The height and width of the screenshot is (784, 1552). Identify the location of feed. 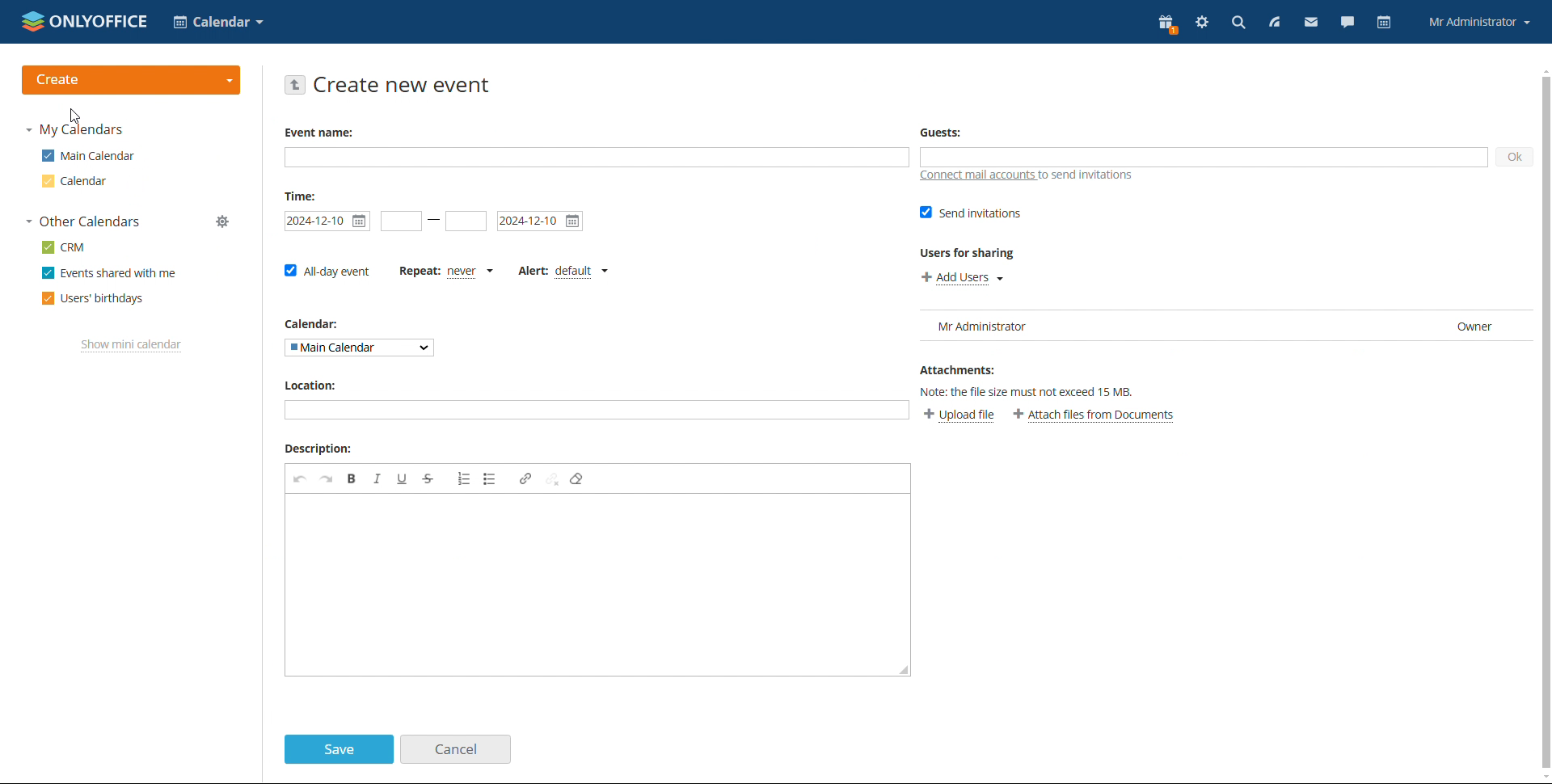
(1274, 23).